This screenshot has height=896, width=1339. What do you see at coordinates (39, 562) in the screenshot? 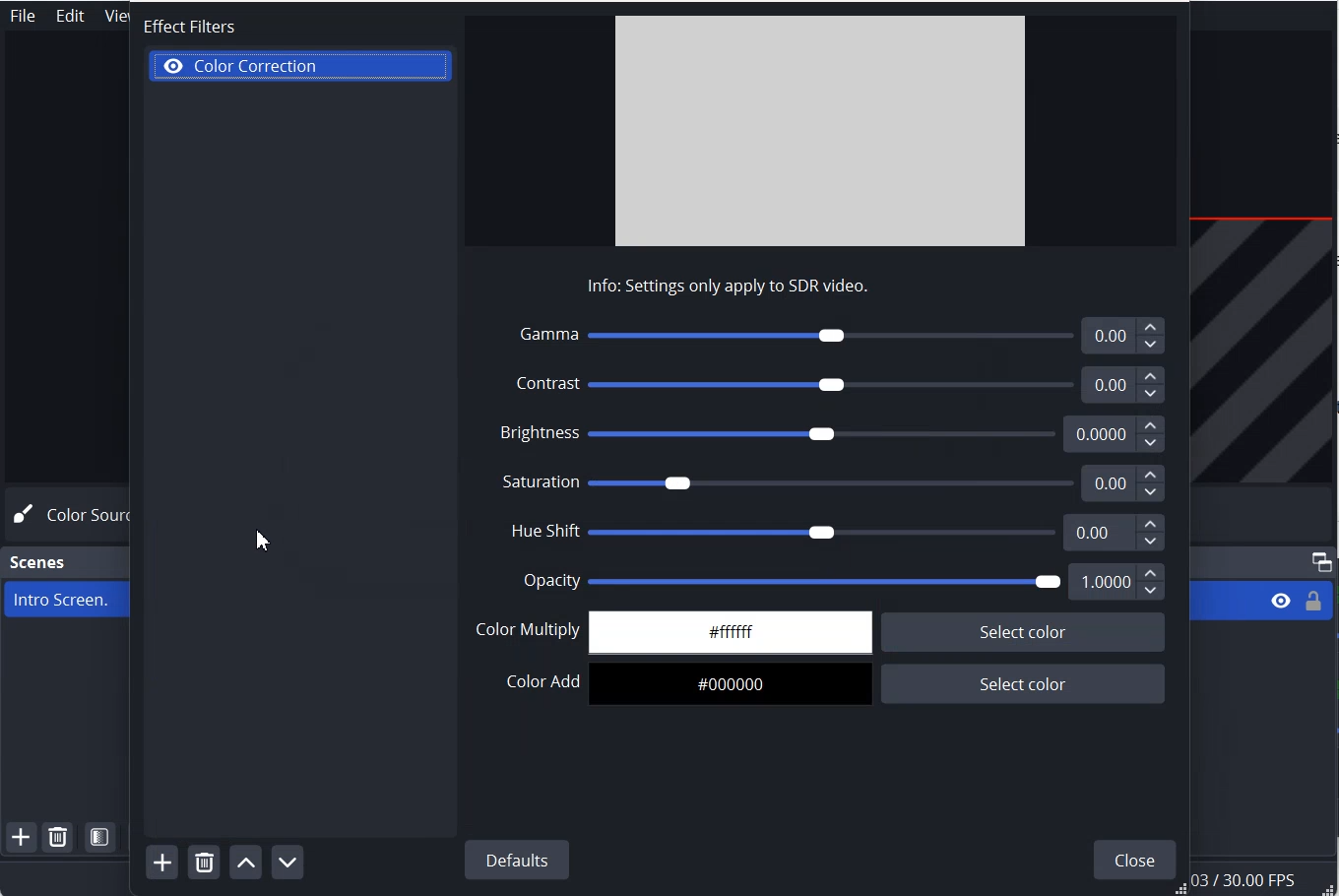
I see `Scene` at bounding box center [39, 562].